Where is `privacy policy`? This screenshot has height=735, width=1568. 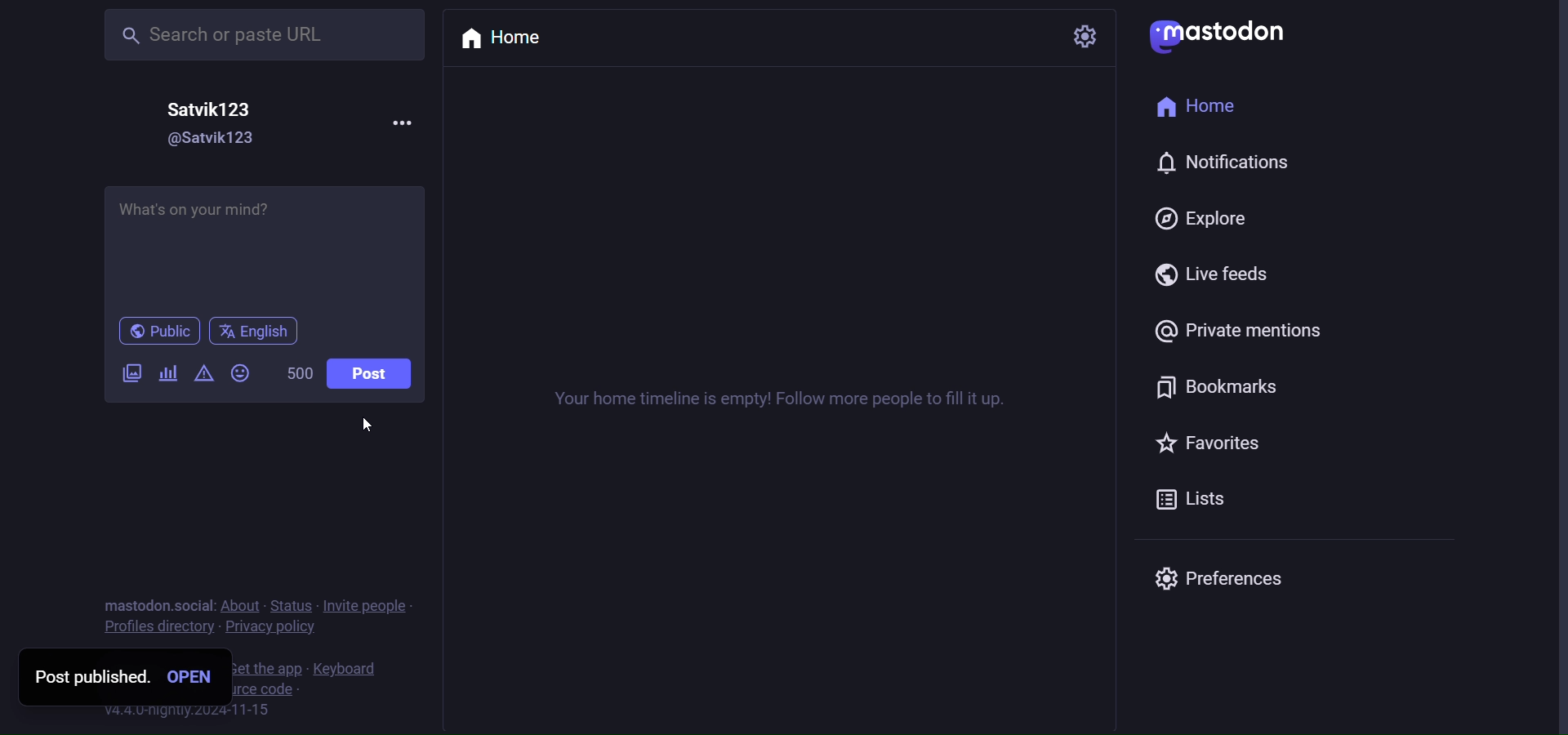 privacy policy is located at coordinates (273, 630).